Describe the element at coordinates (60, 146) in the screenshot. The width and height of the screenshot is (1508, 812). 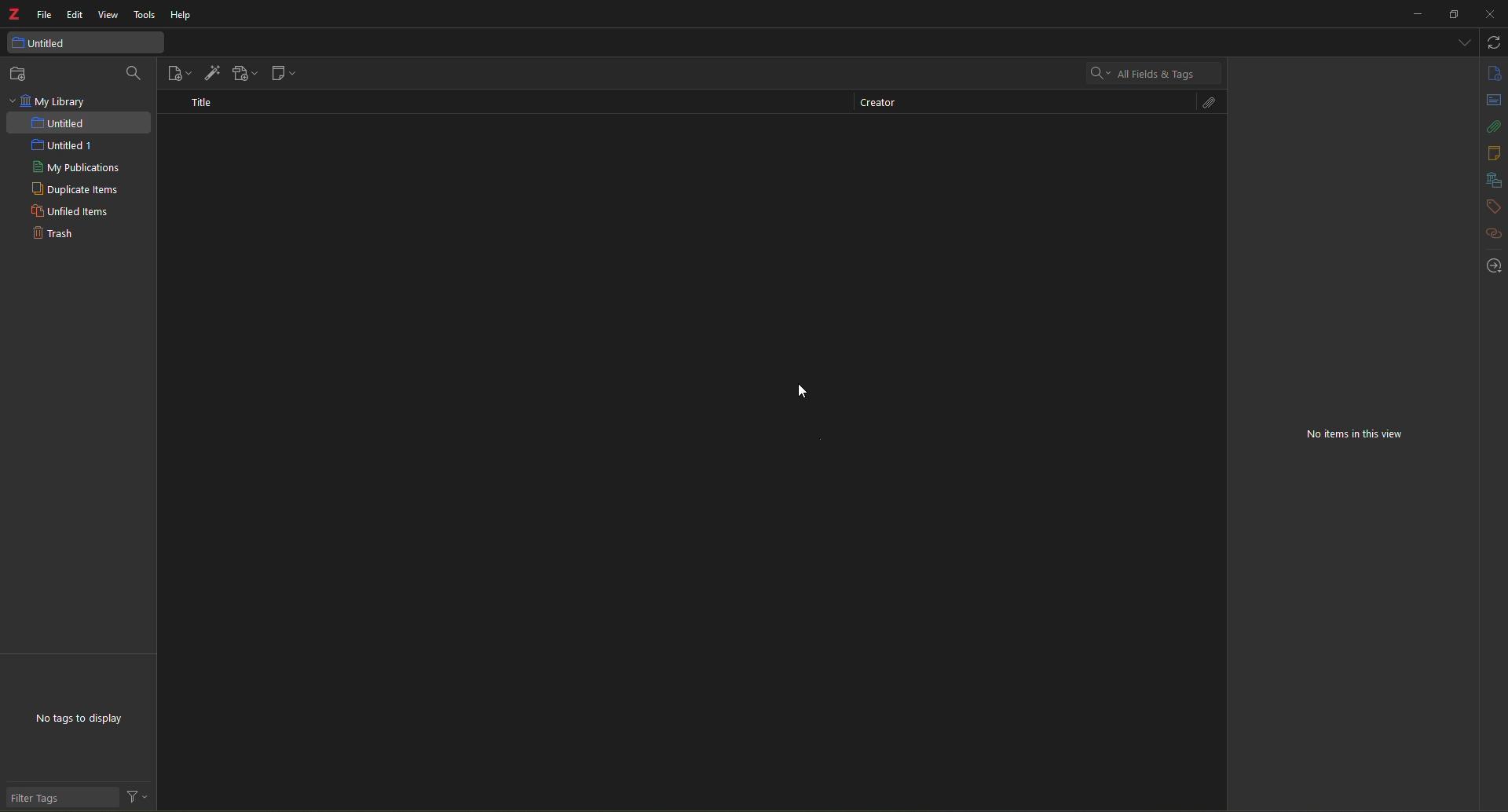
I see `untitled 1` at that location.